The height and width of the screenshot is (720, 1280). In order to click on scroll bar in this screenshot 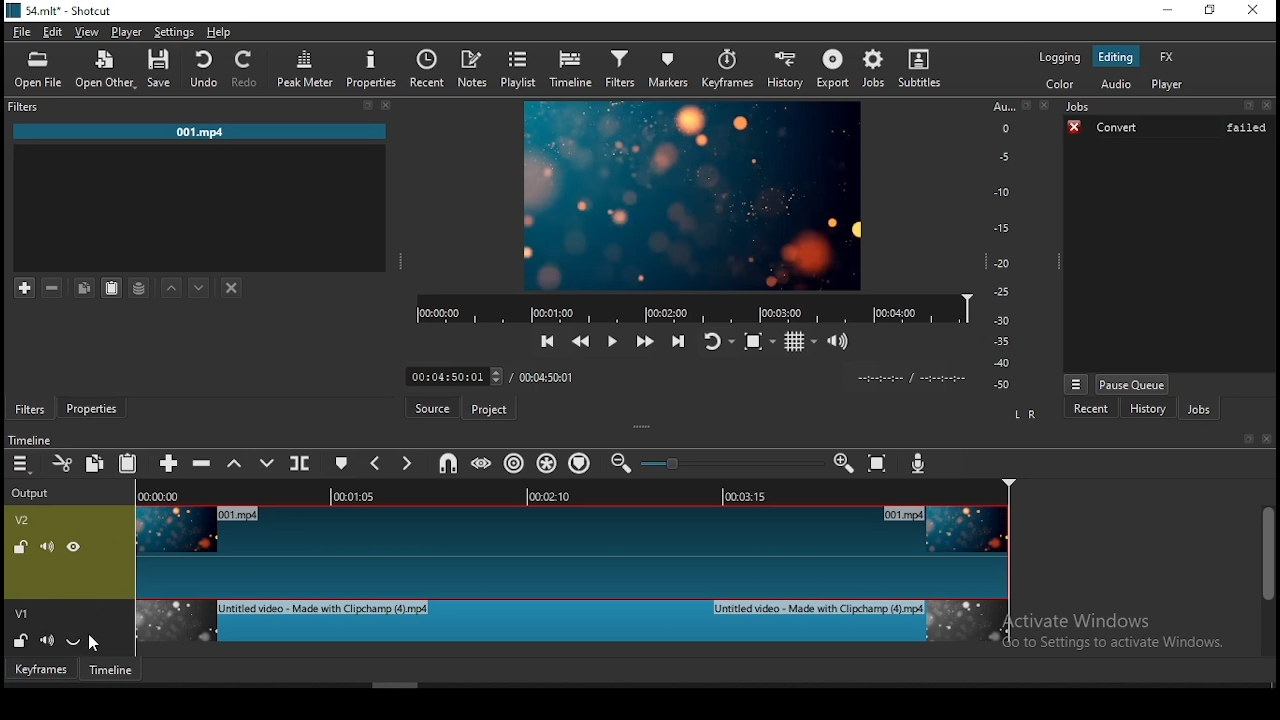, I will do `click(1268, 580)`.